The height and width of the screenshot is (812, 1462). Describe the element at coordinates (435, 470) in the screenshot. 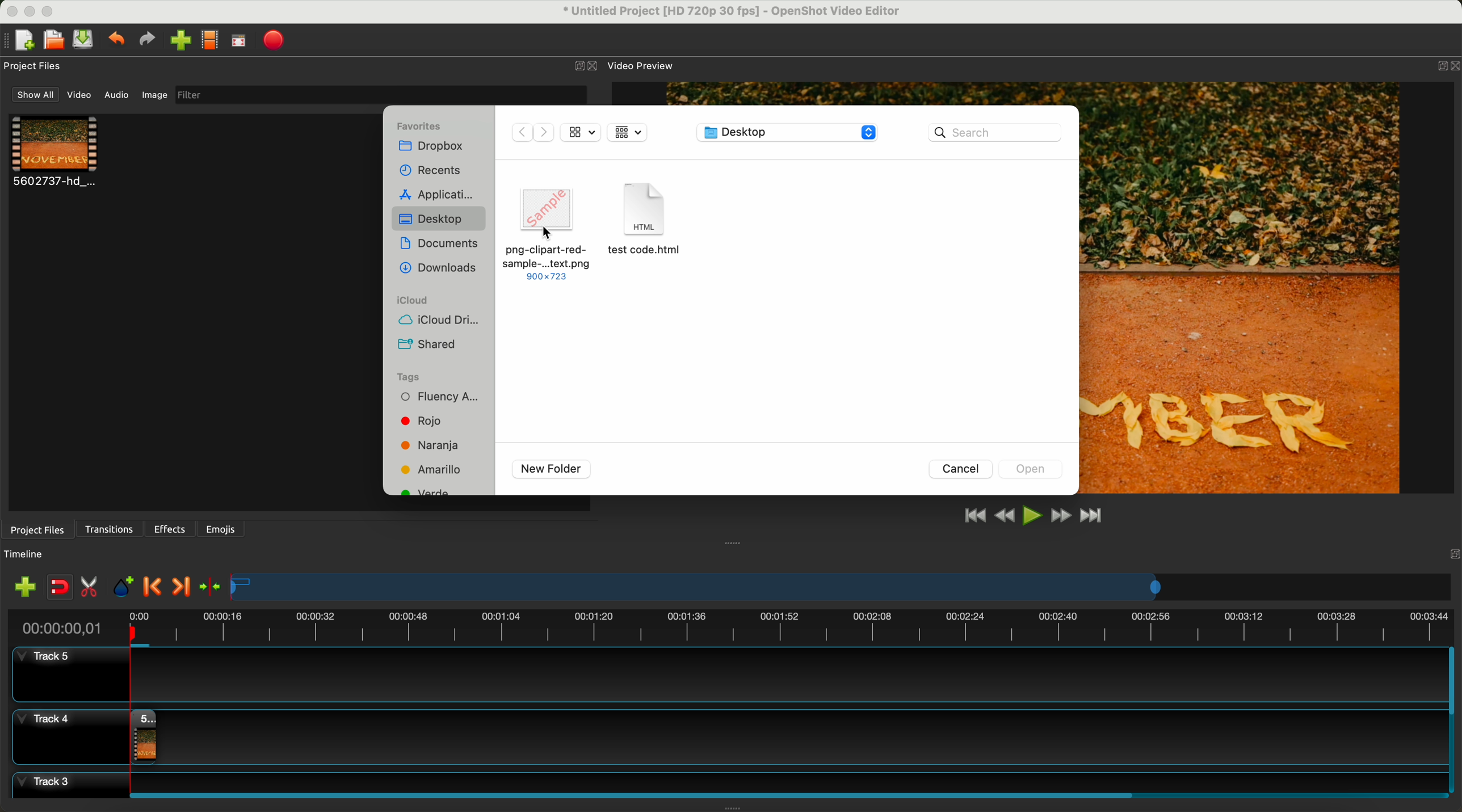

I see `Amarilo` at that location.